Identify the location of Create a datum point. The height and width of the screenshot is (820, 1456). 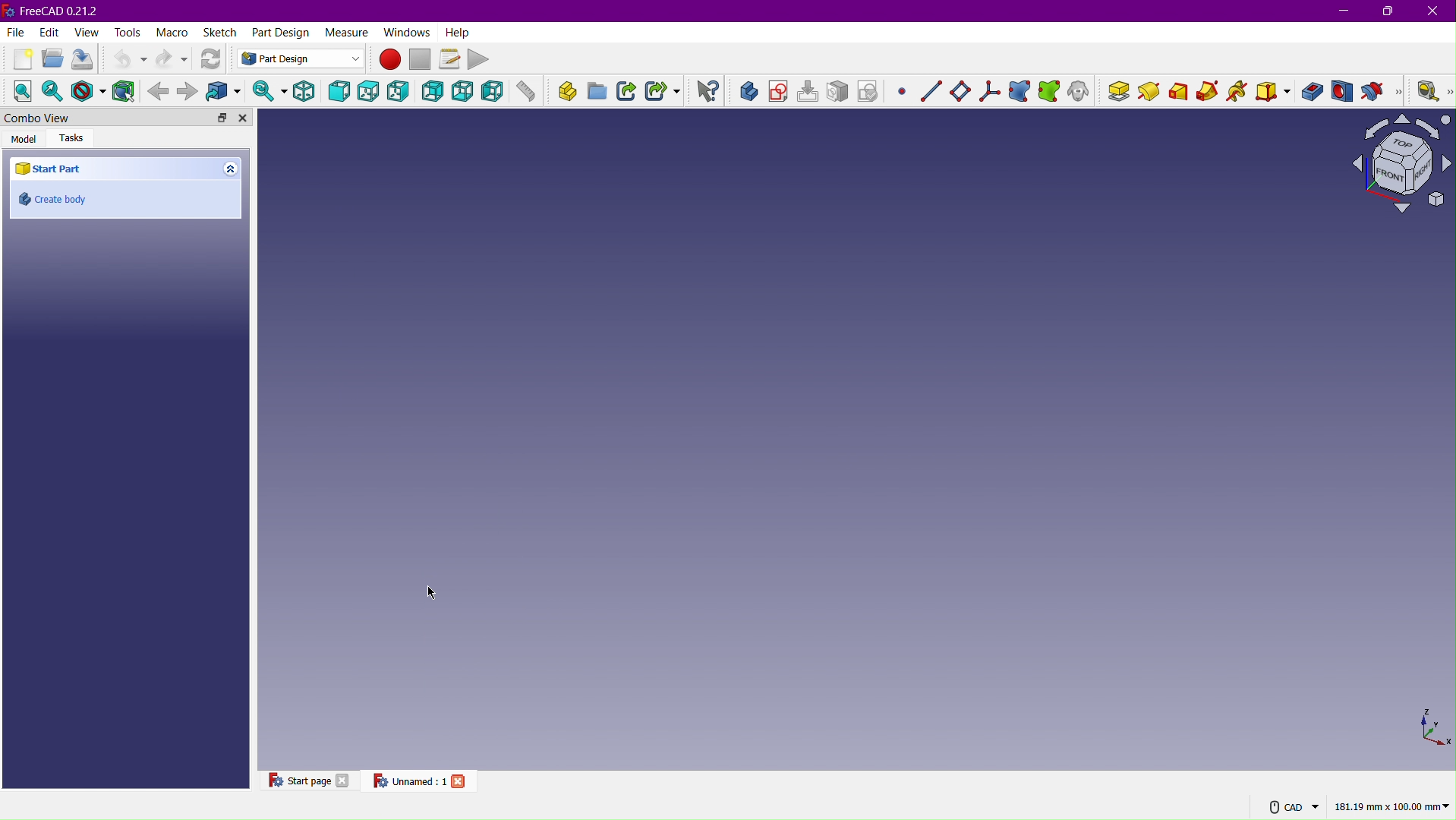
(900, 90).